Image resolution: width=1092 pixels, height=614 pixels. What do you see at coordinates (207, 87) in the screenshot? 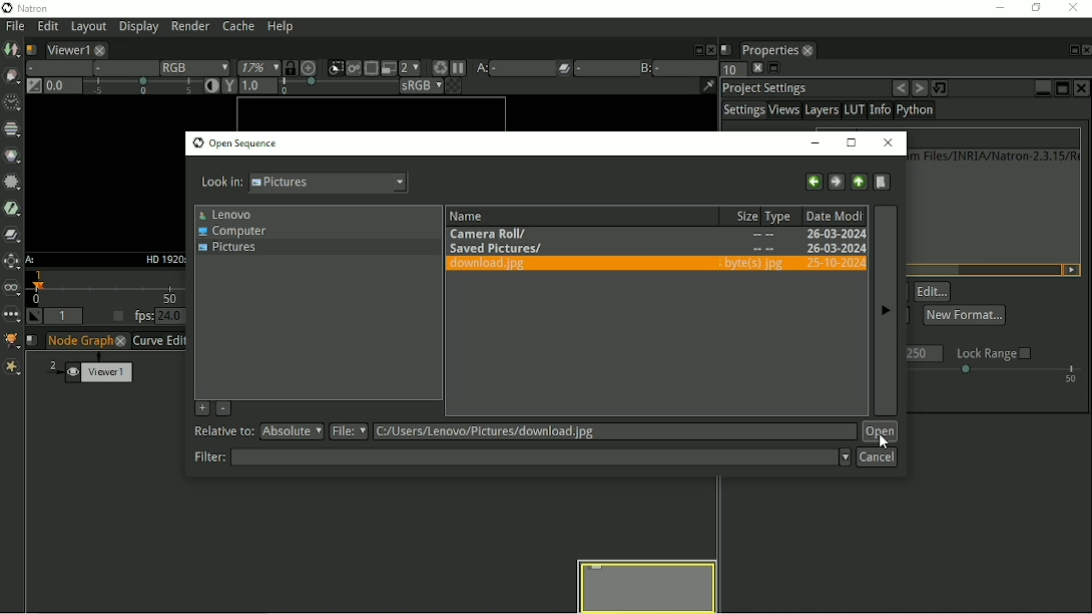
I see `Auto contrast` at bounding box center [207, 87].